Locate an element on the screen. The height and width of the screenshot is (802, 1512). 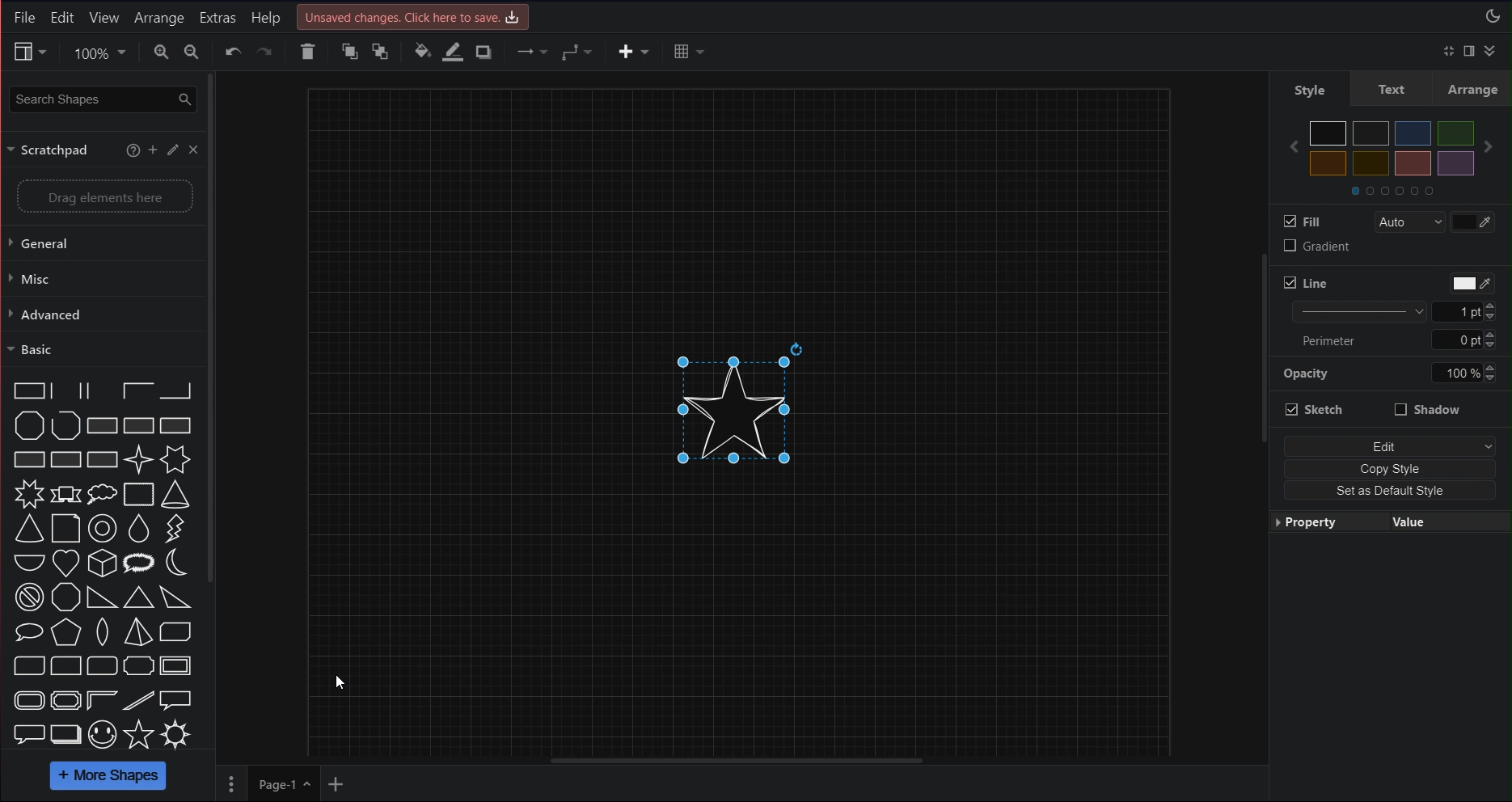
layered rectangle is located at coordinates (67, 734).